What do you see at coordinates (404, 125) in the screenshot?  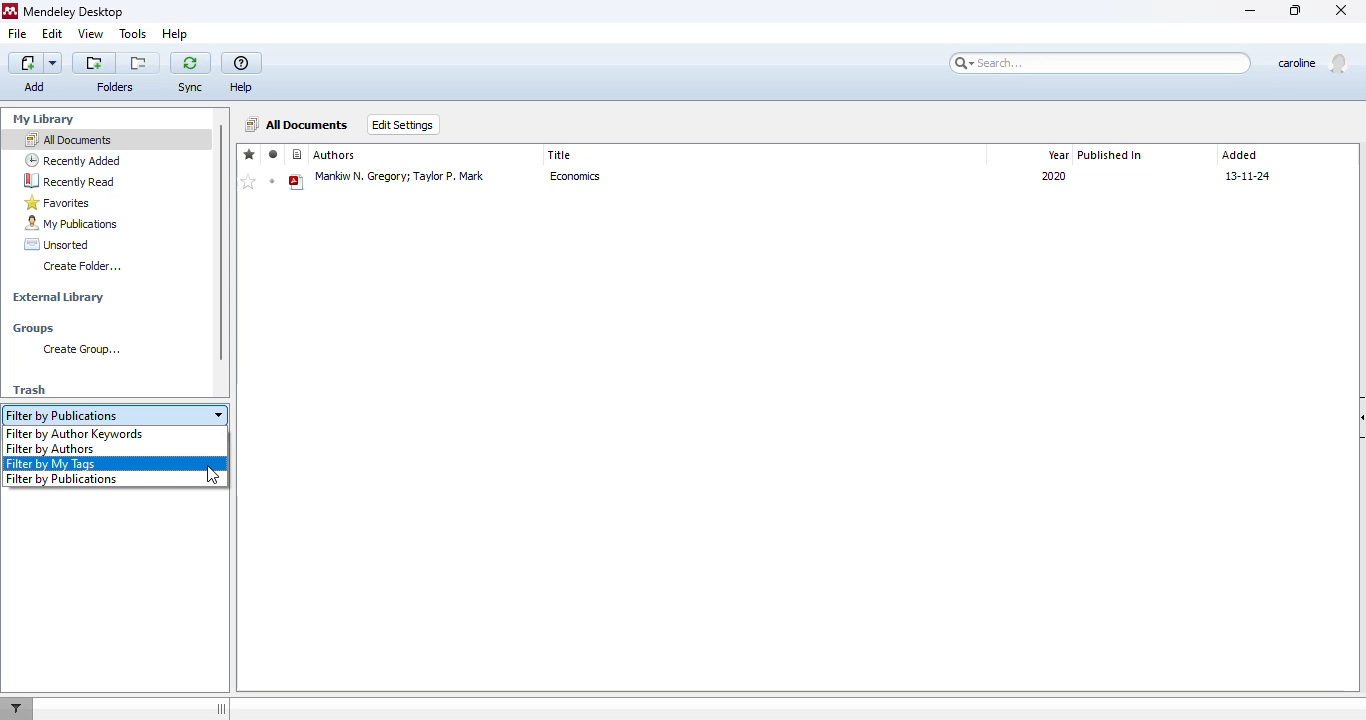 I see `edit settings` at bounding box center [404, 125].